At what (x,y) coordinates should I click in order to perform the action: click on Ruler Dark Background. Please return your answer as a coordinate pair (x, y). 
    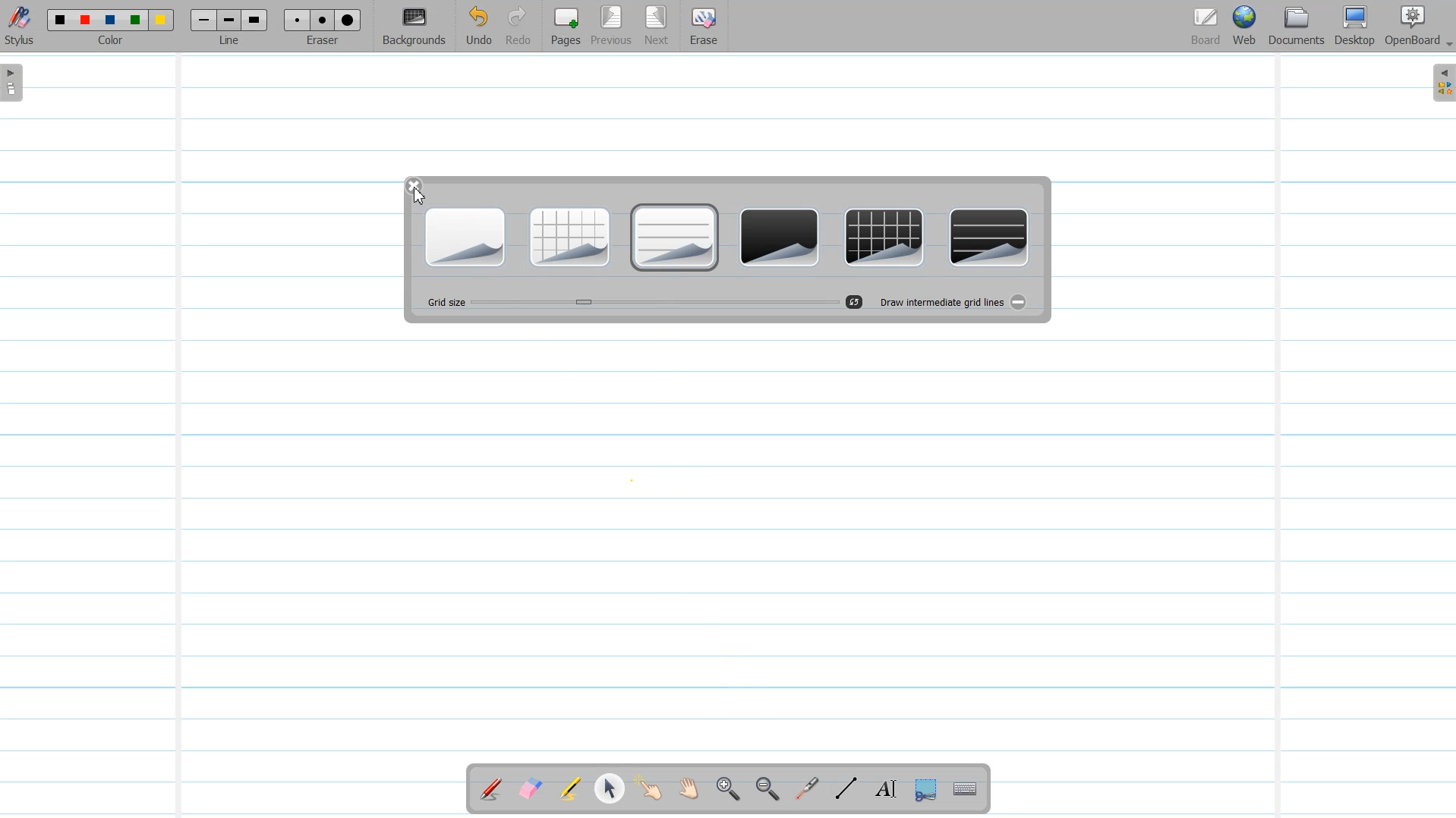
    Looking at the image, I should click on (988, 239).